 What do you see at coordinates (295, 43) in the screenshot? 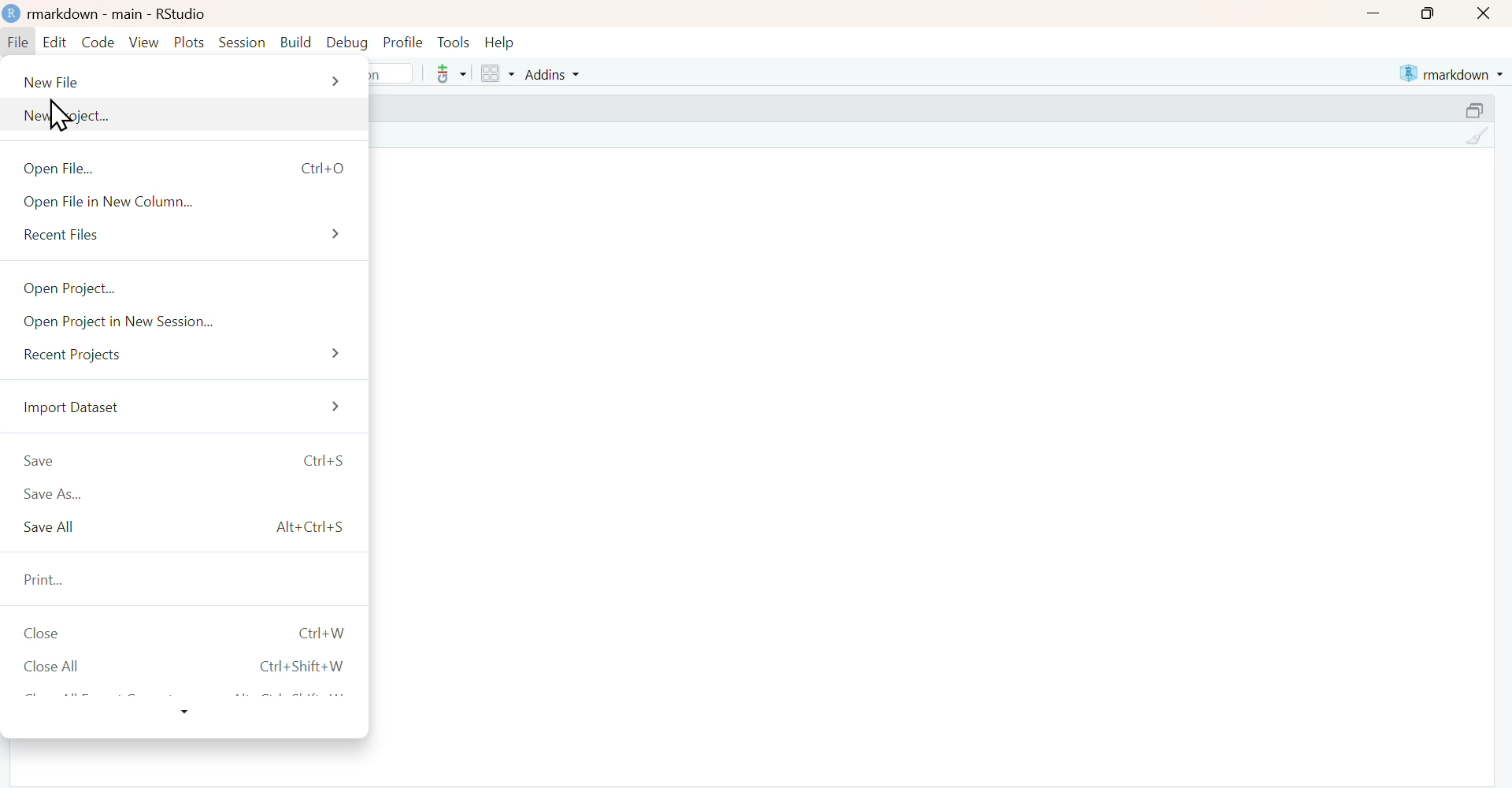
I see `Build` at bounding box center [295, 43].